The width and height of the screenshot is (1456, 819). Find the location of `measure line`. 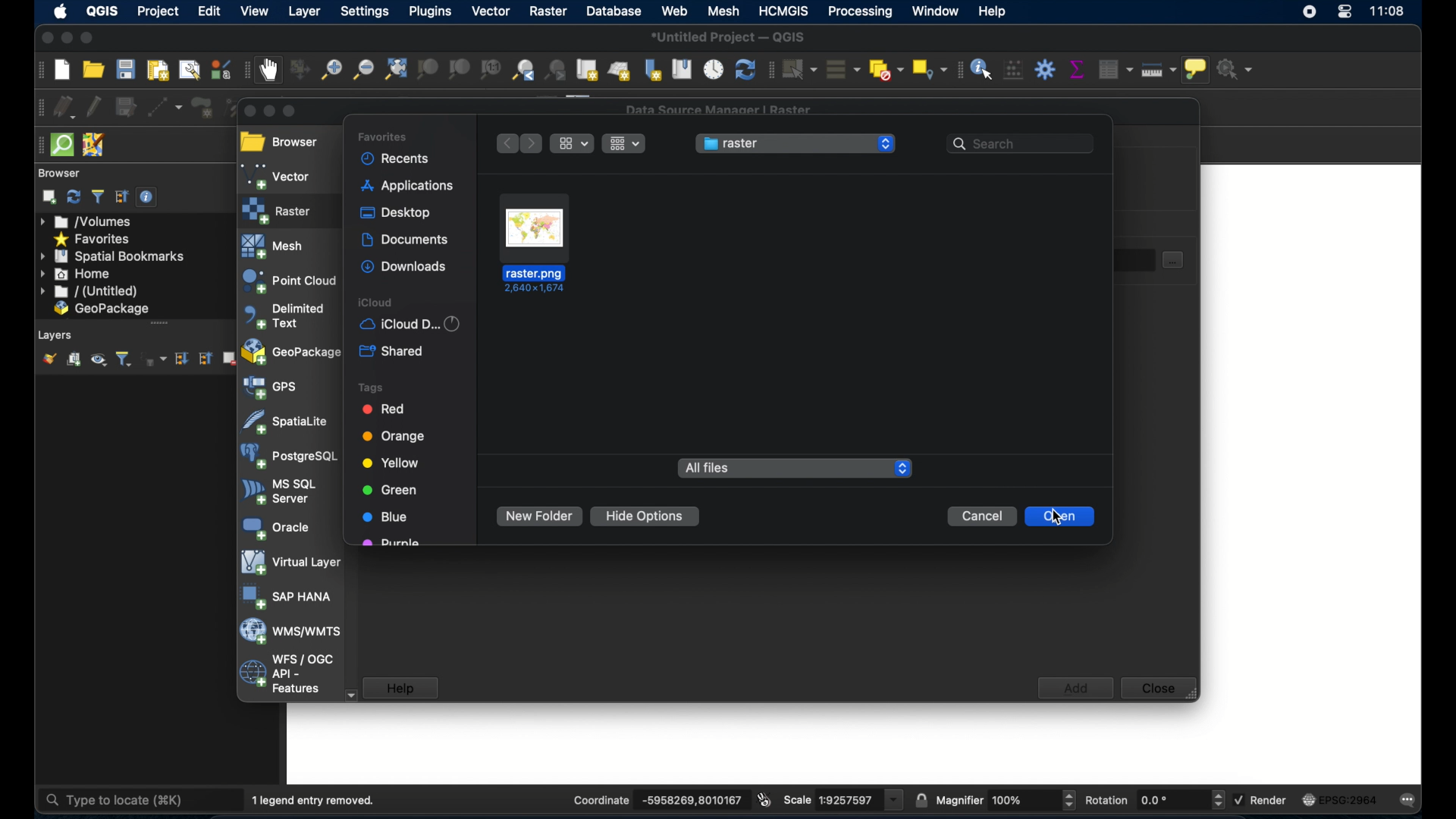

measure line is located at coordinates (1161, 72).